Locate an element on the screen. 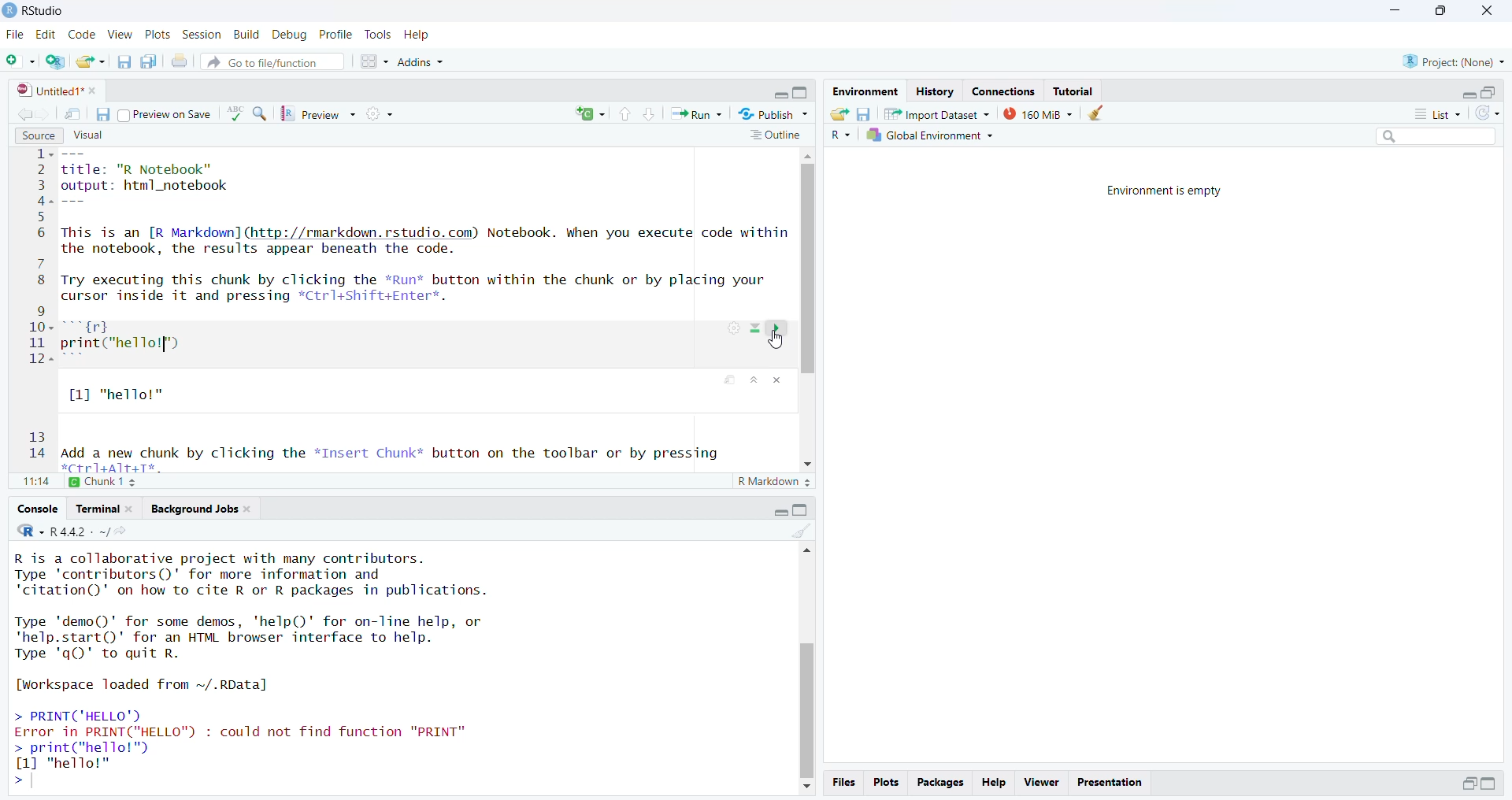 The height and width of the screenshot is (800, 1512). save current document is located at coordinates (126, 61).